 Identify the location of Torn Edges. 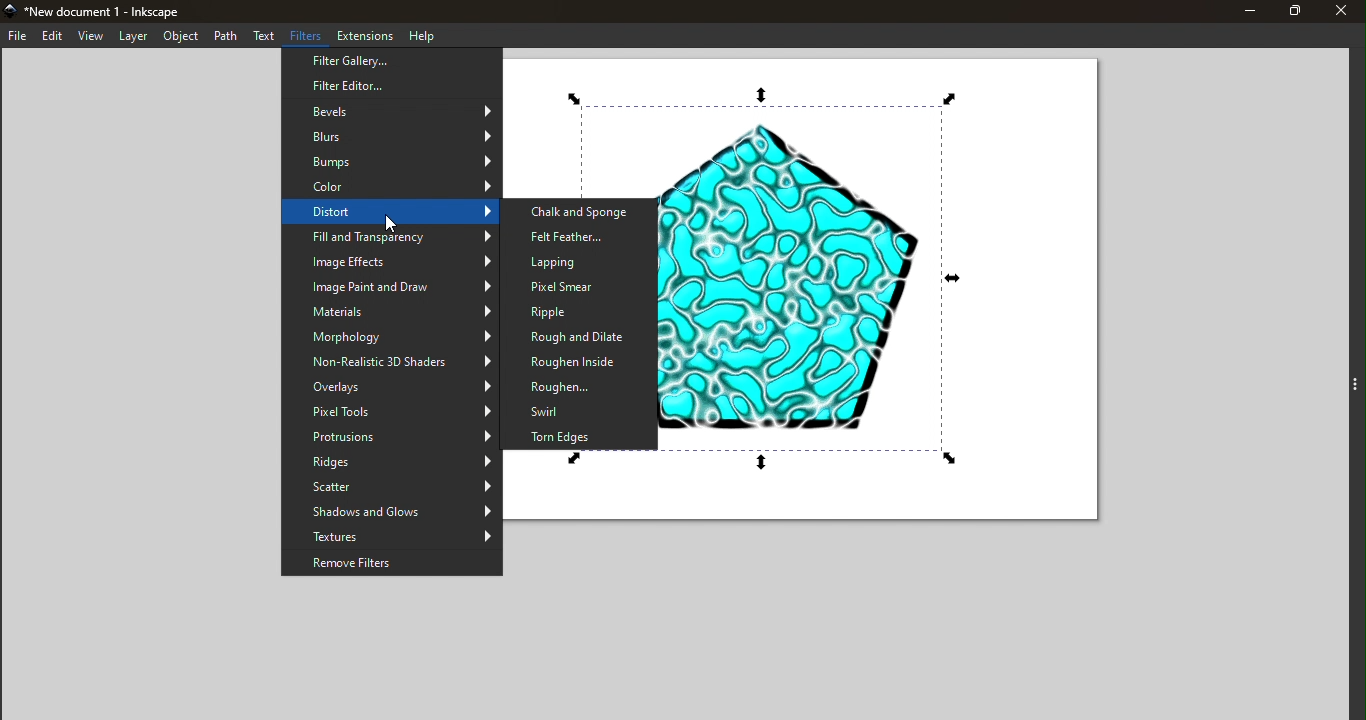
(584, 436).